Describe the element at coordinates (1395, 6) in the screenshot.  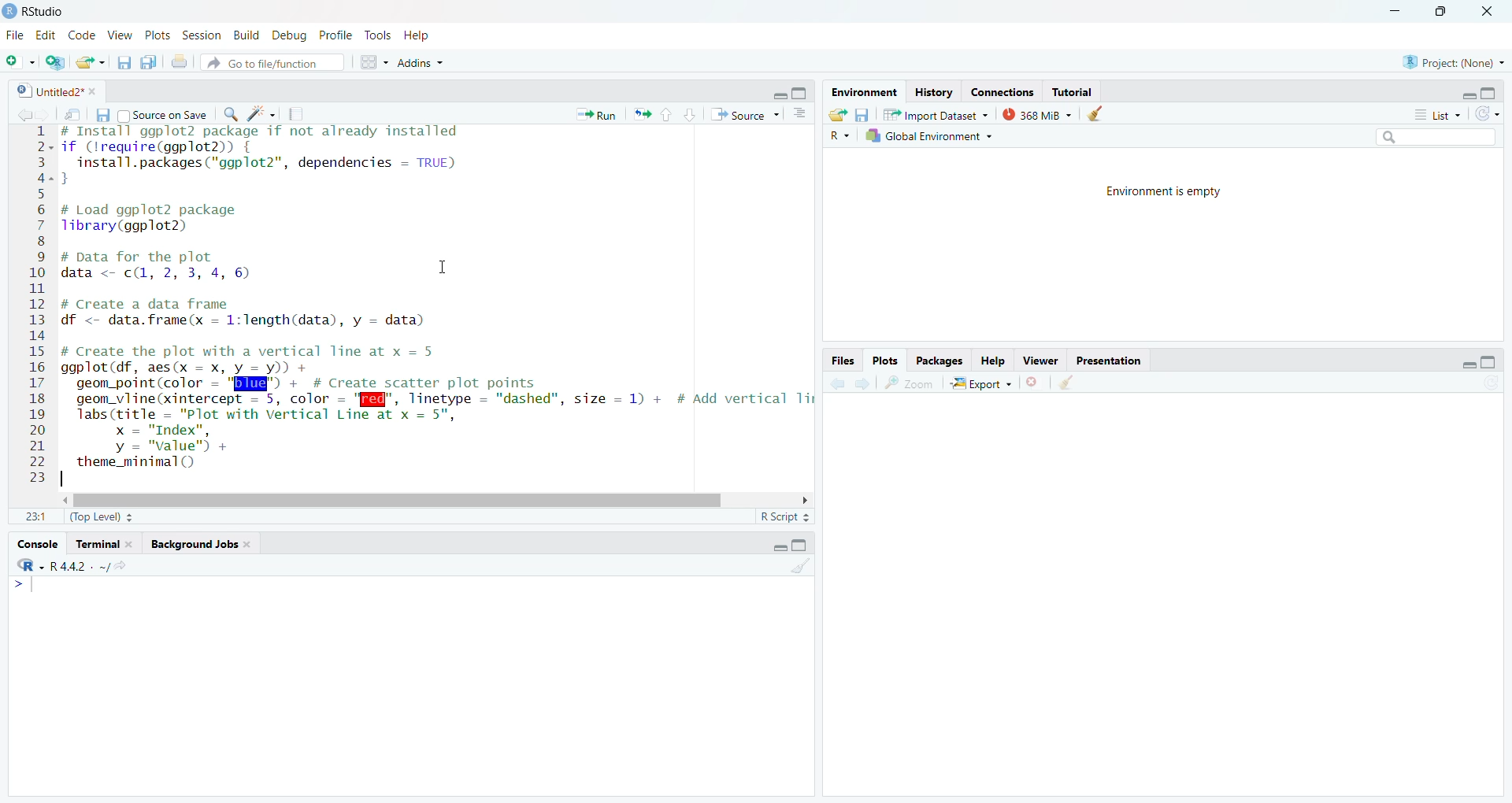
I see `minimise` at that location.